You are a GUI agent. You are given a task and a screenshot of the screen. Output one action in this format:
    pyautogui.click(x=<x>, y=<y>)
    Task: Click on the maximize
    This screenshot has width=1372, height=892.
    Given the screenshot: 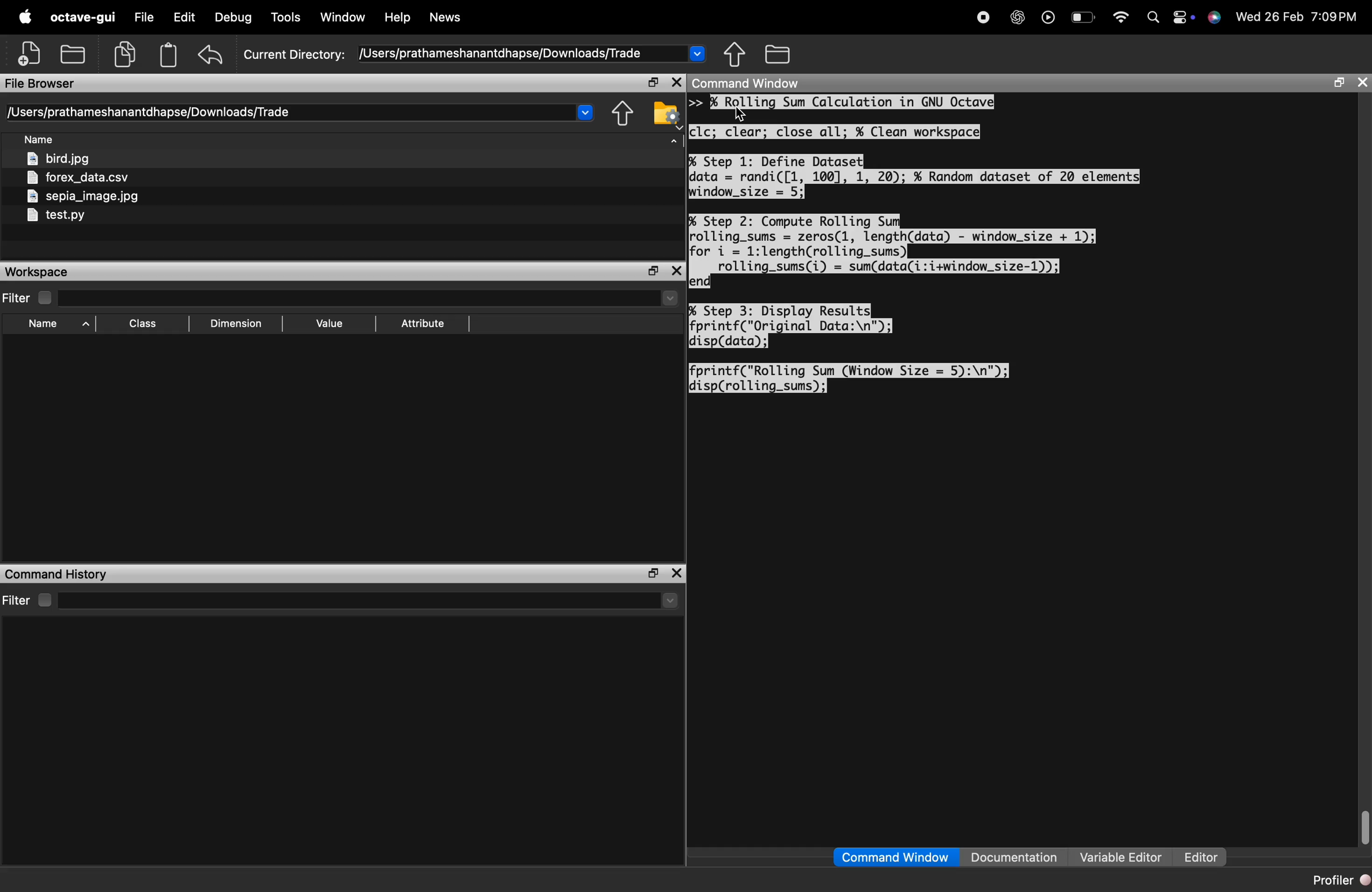 What is the action you would take?
    pyautogui.click(x=651, y=82)
    